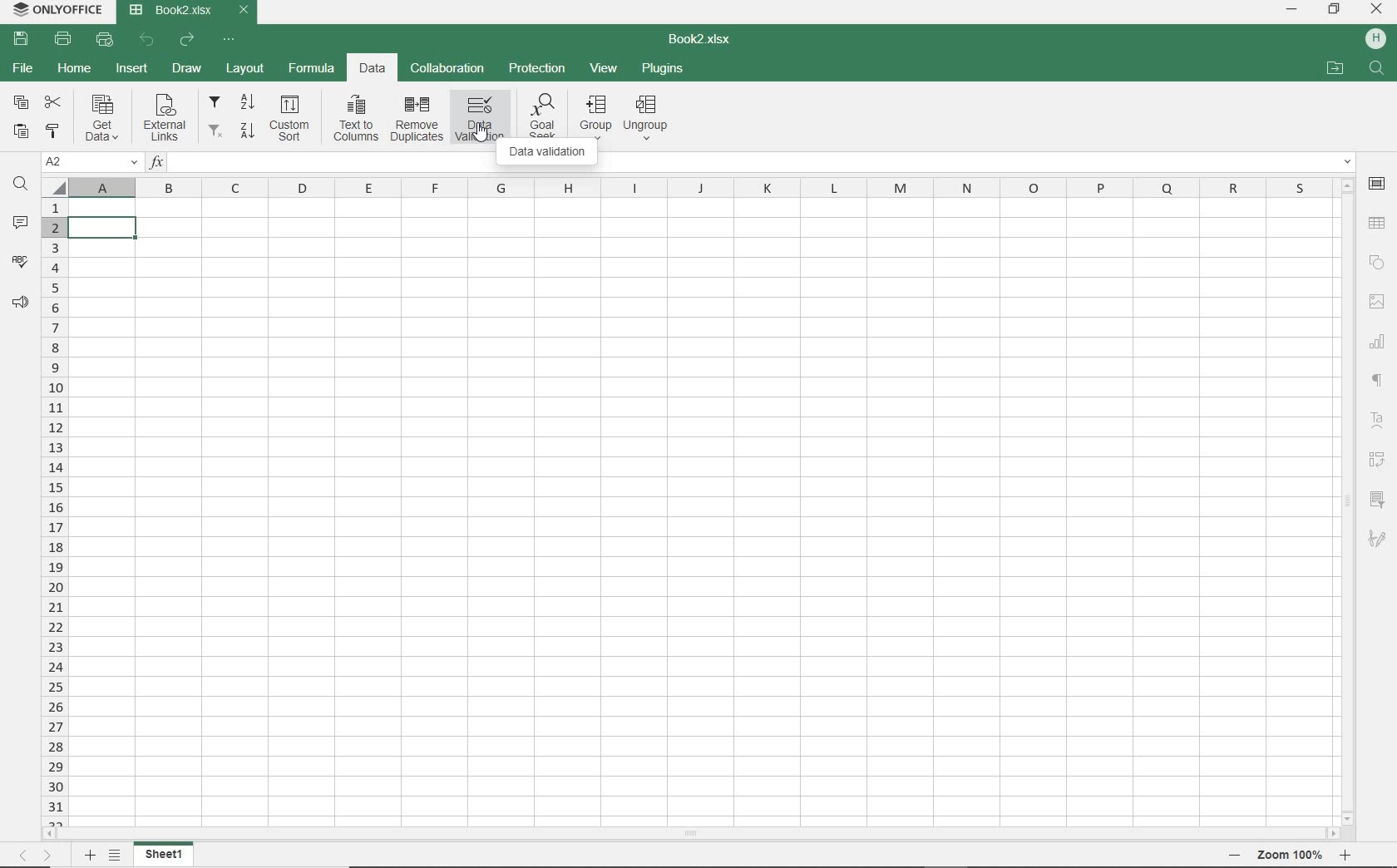 This screenshot has width=1397, height=868. I want to click on DATA, so click(371, 67).